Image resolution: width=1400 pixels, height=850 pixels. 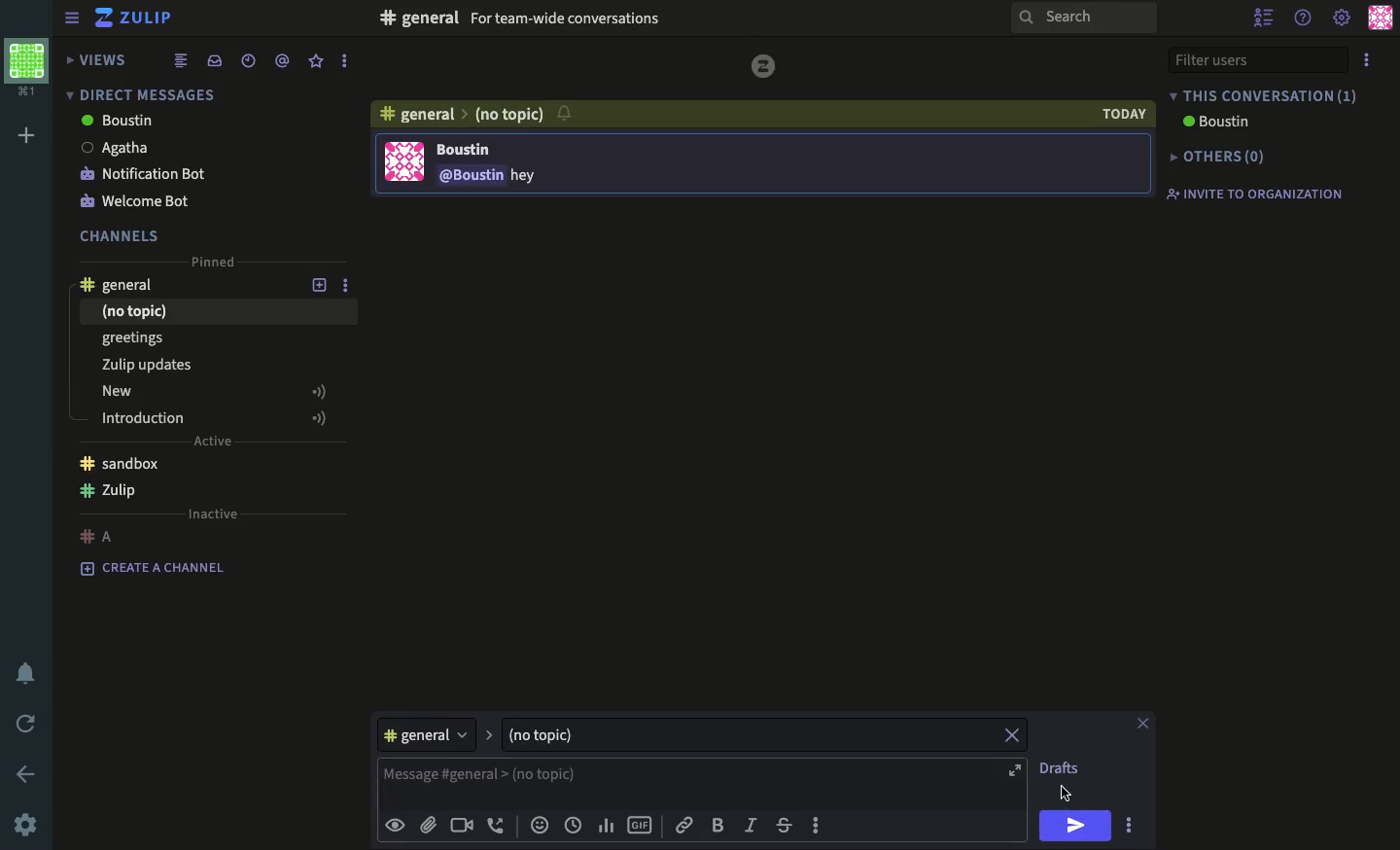 What do you see at coordinates (93, 59) in the screenshot?
I see `views` at bounding box center [93, 59].